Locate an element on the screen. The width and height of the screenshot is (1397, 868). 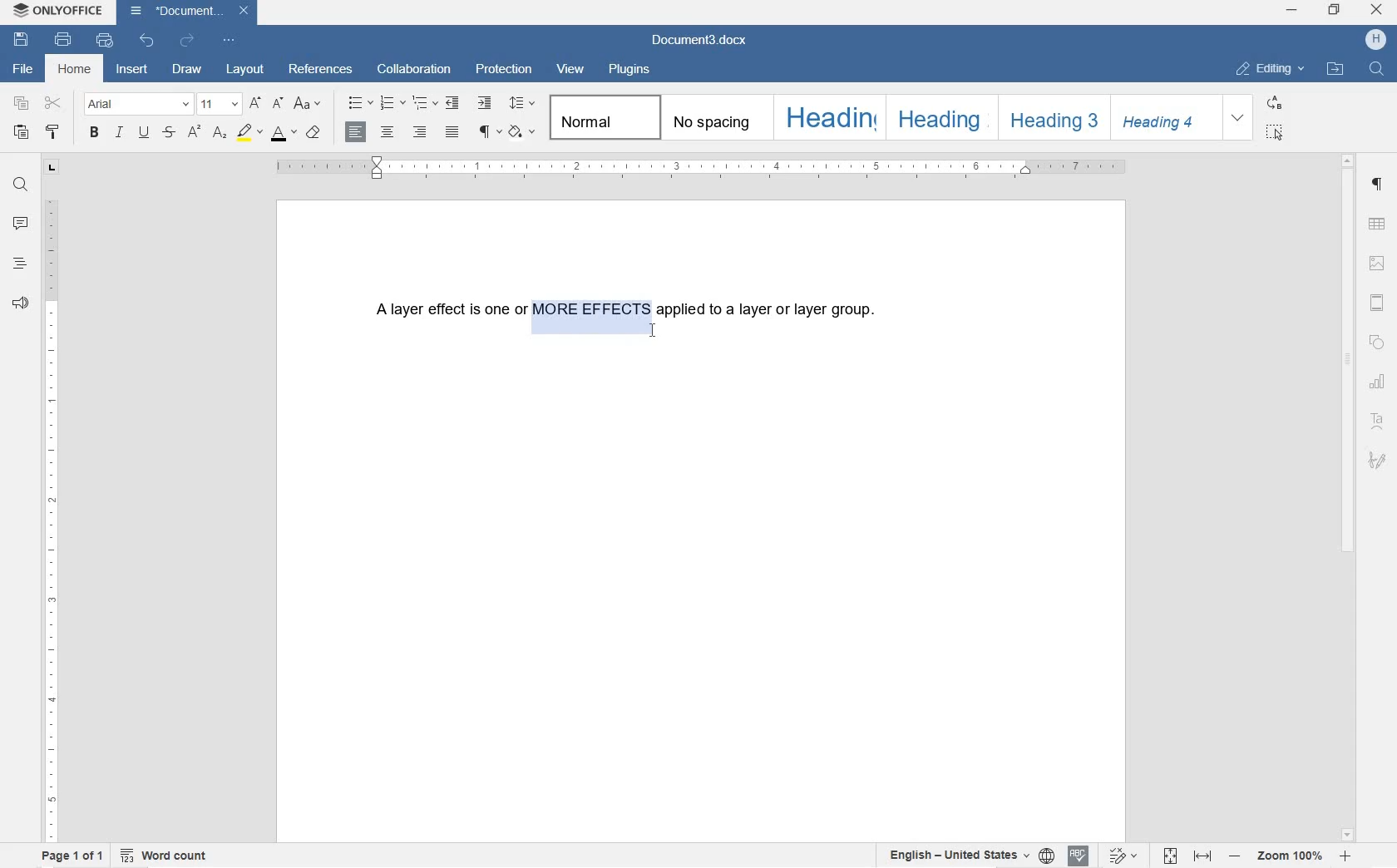
RESTORE is located at coordinates (1335, 12).